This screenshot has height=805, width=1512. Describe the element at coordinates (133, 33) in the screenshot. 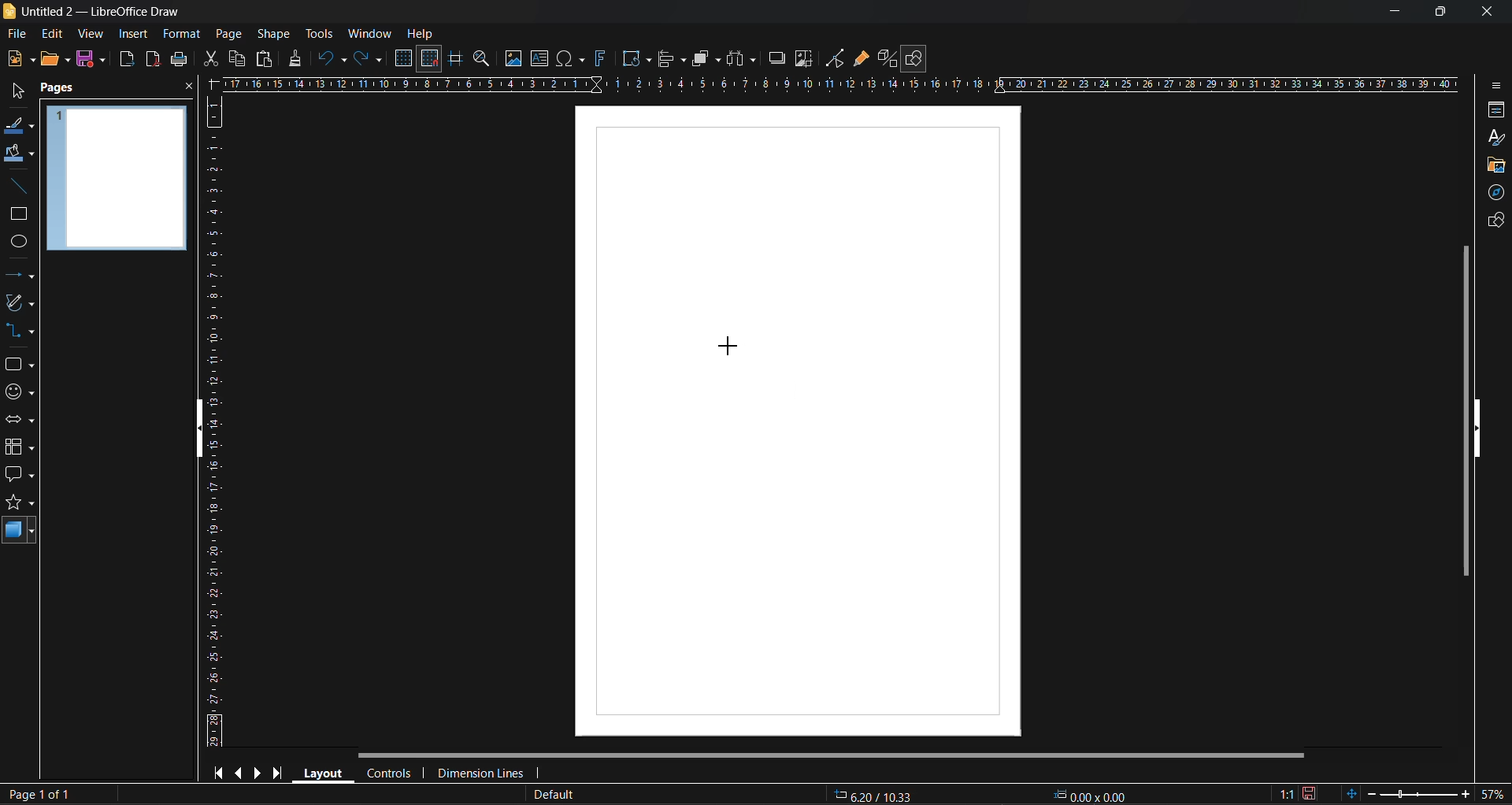

I see `insert` at that location.